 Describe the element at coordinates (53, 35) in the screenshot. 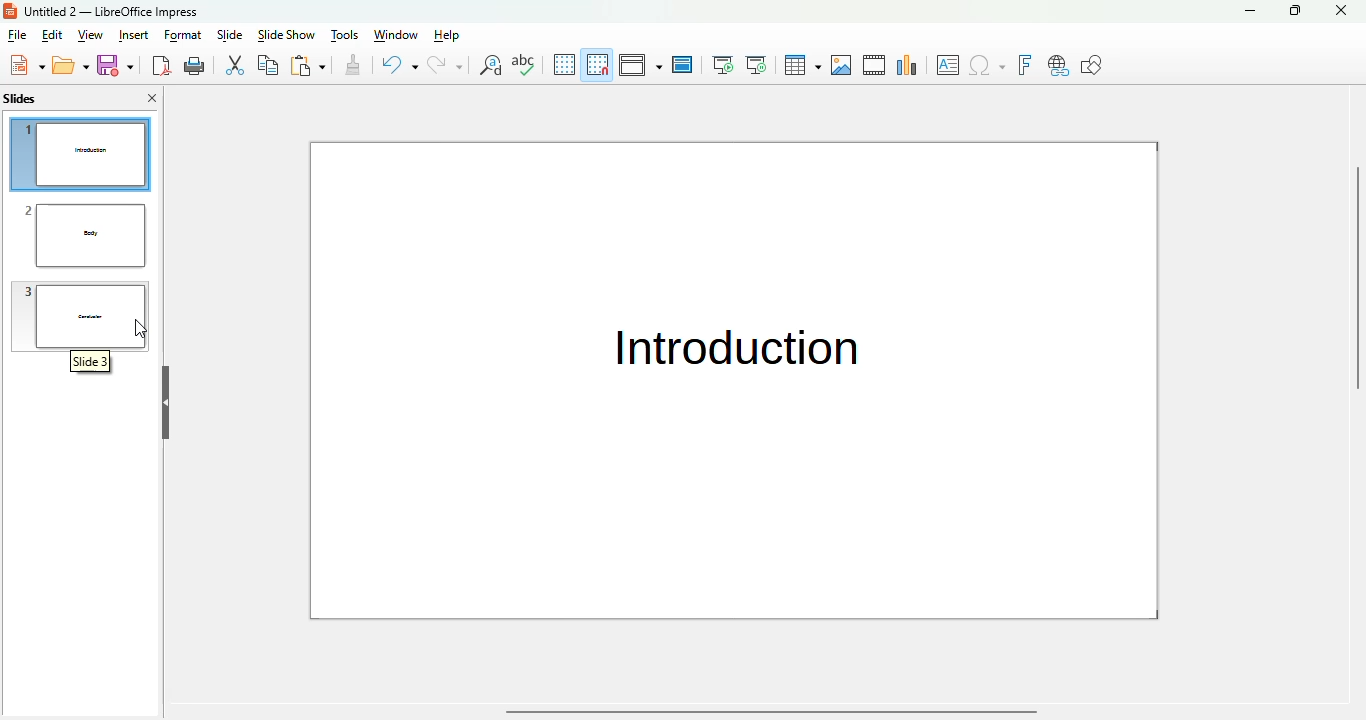

I see `edit` at that location.